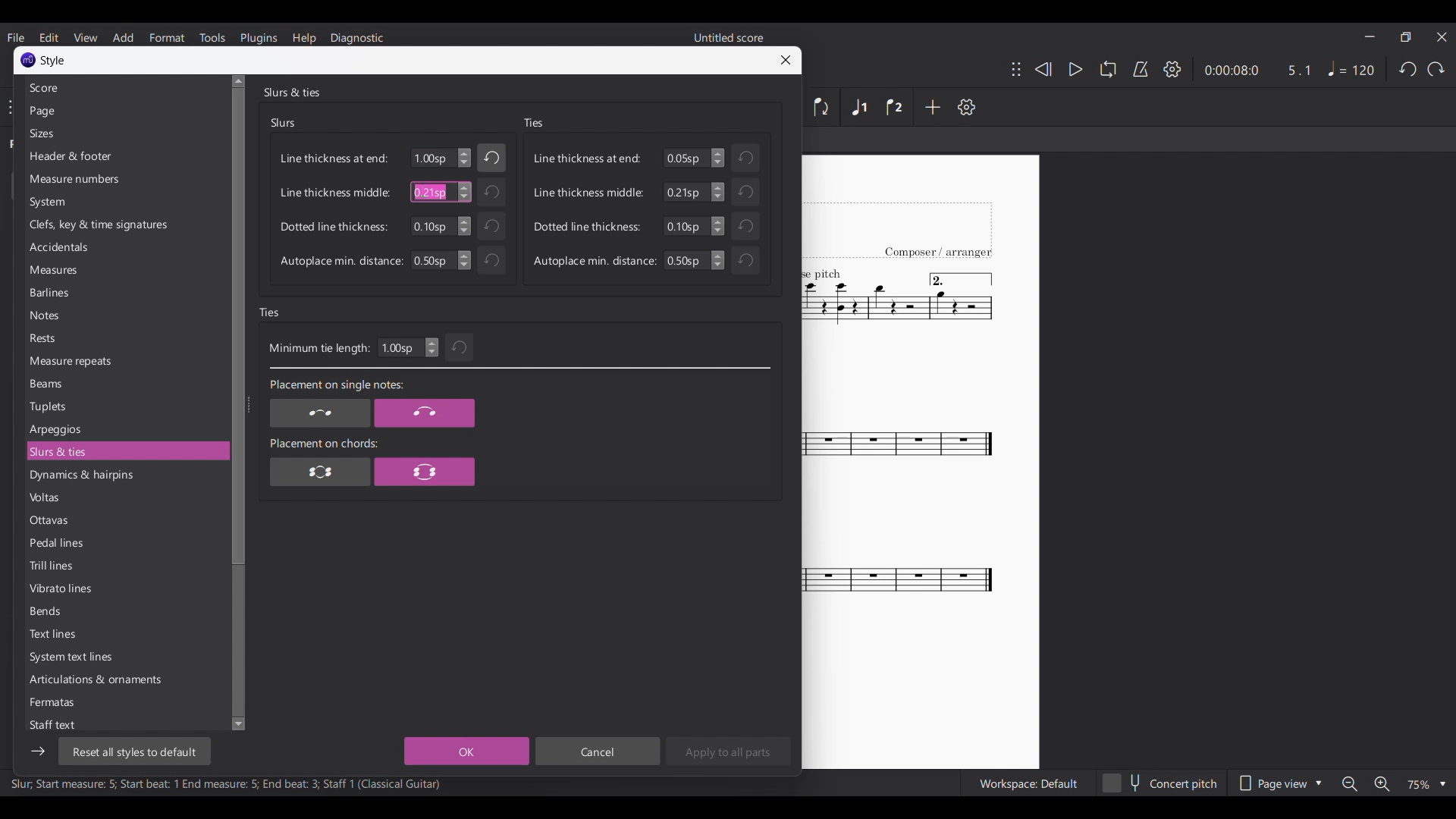  What do you see at coordinates (125, 475) in the screenshot?
I see `Dynamics & hairpins` at bounding box center [125, 475].